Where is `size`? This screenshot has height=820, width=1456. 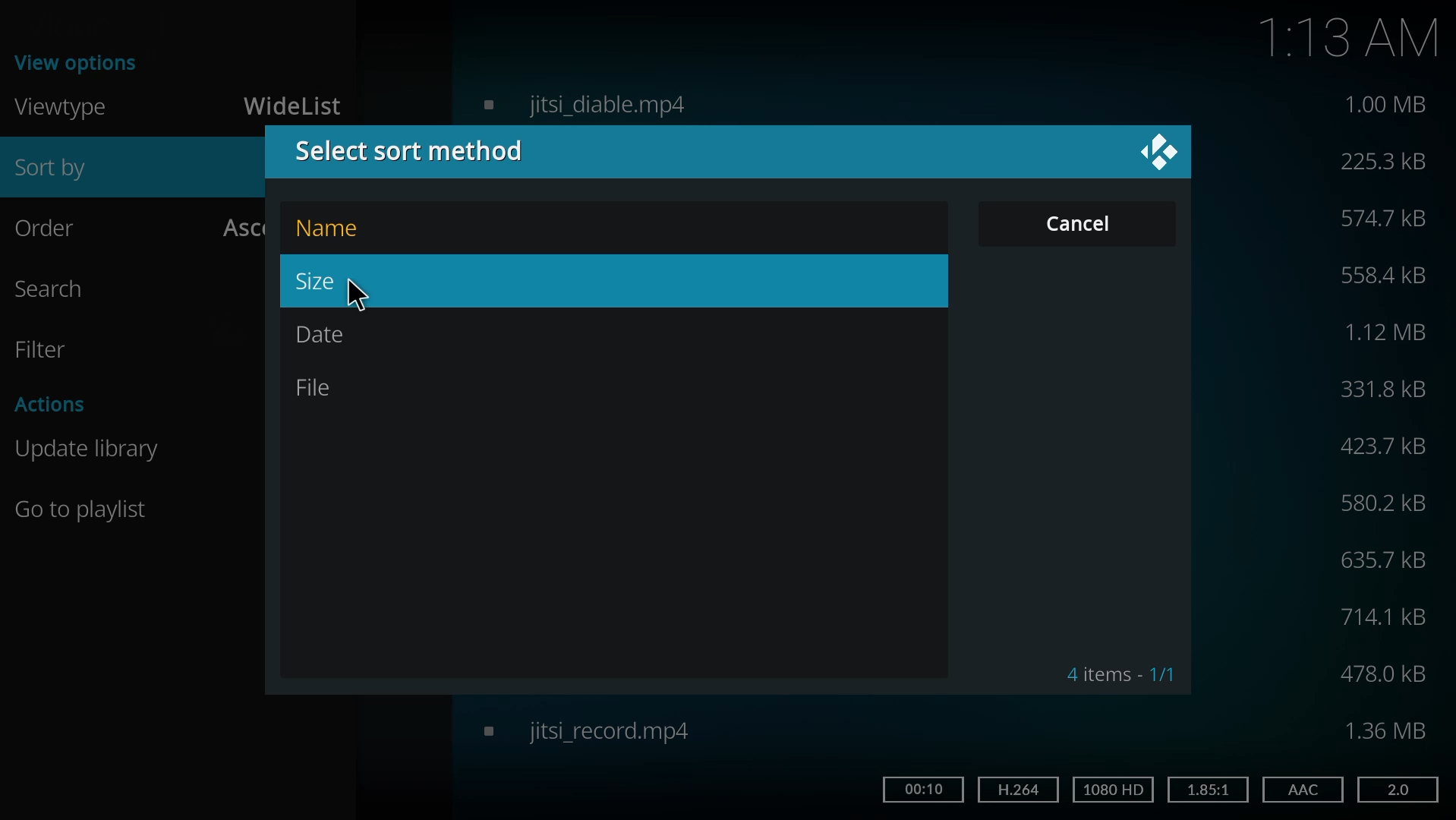 size is located at coordinates (1374, 390).